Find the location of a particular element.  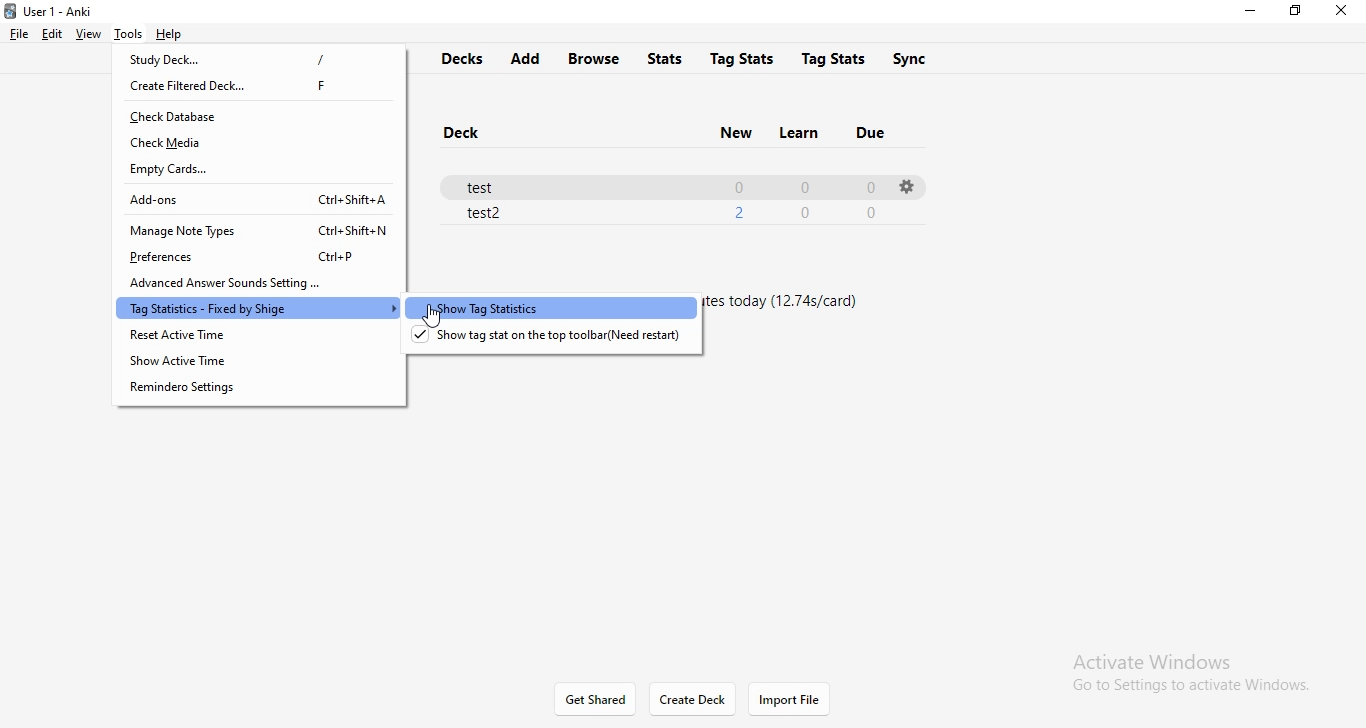

learn is located at coordinates (800, 135).